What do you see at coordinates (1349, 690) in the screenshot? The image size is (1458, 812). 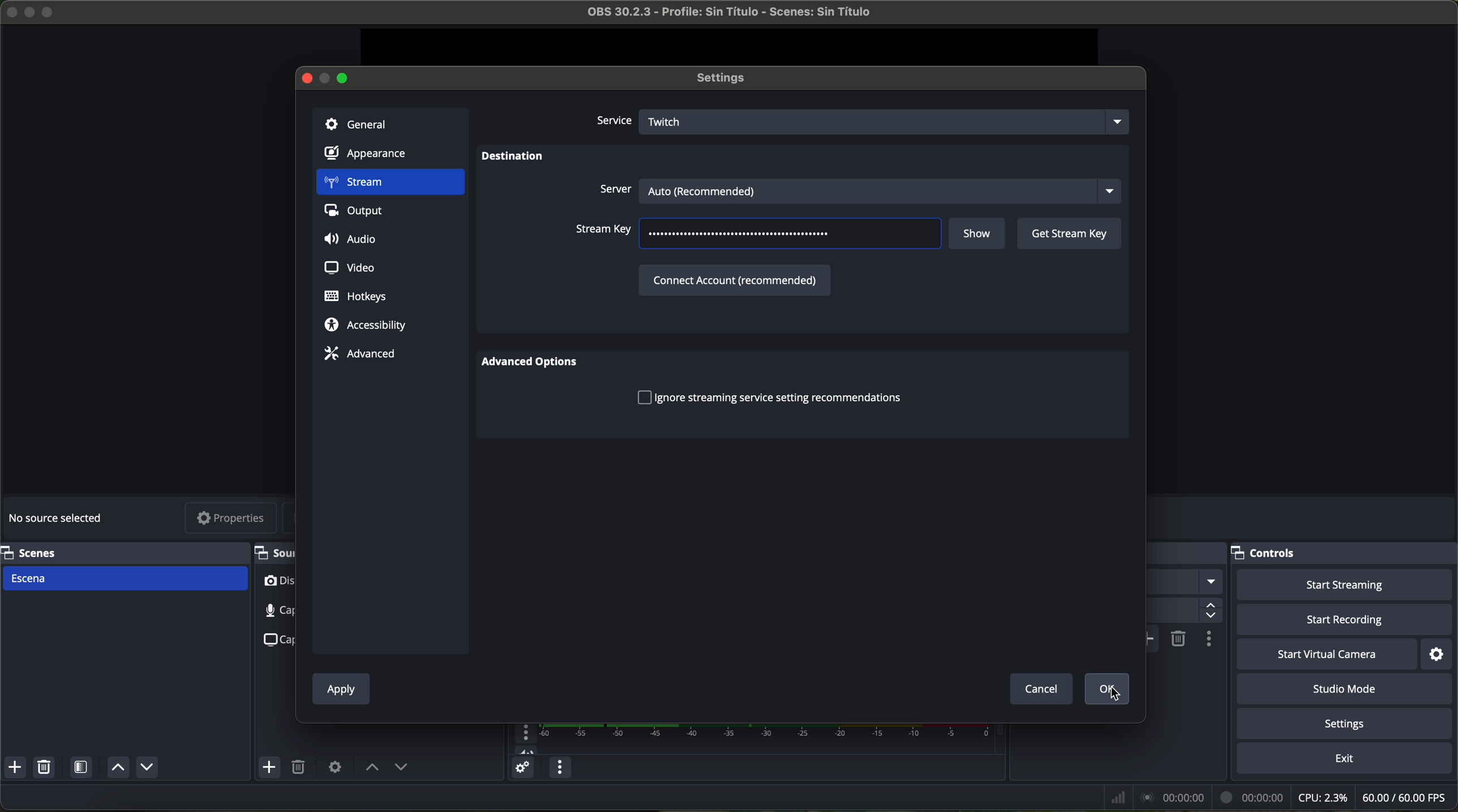 I see `studio mode` at bounding box center [1349, 690].